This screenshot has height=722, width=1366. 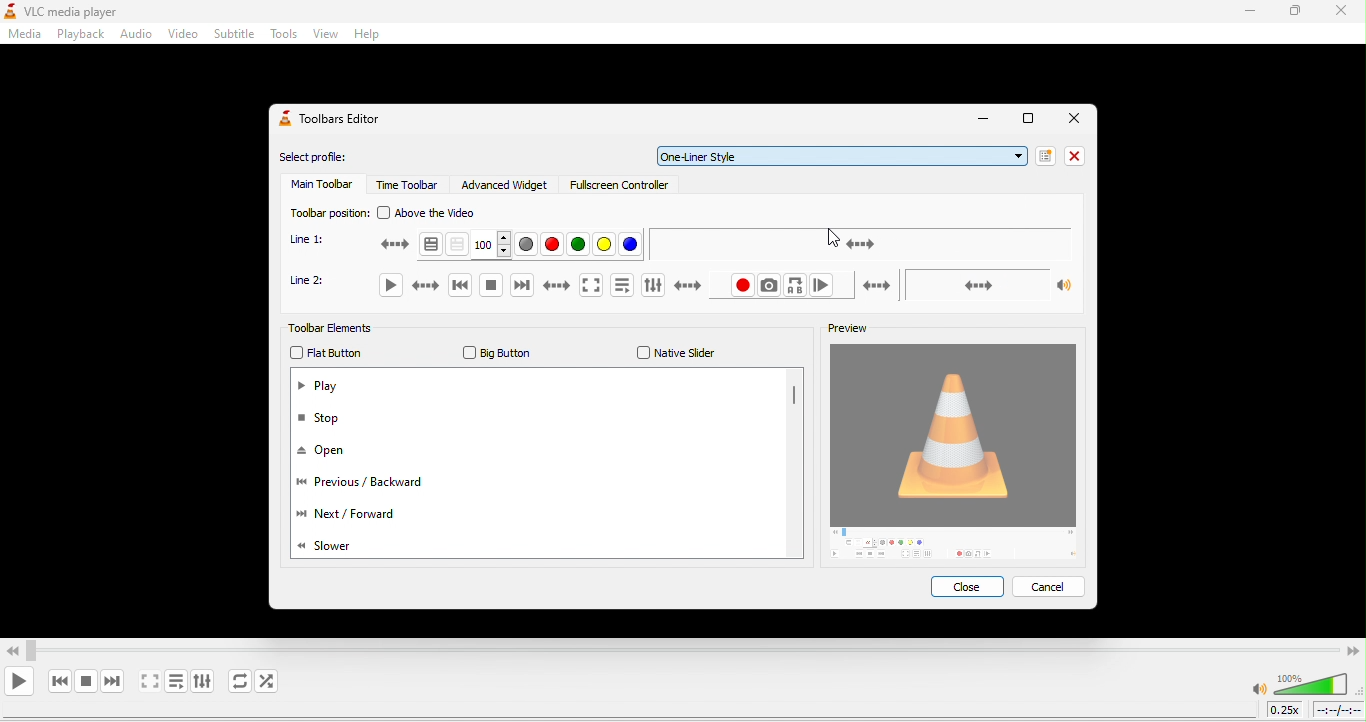 I want to click on grey, so click(x=526, y=245).